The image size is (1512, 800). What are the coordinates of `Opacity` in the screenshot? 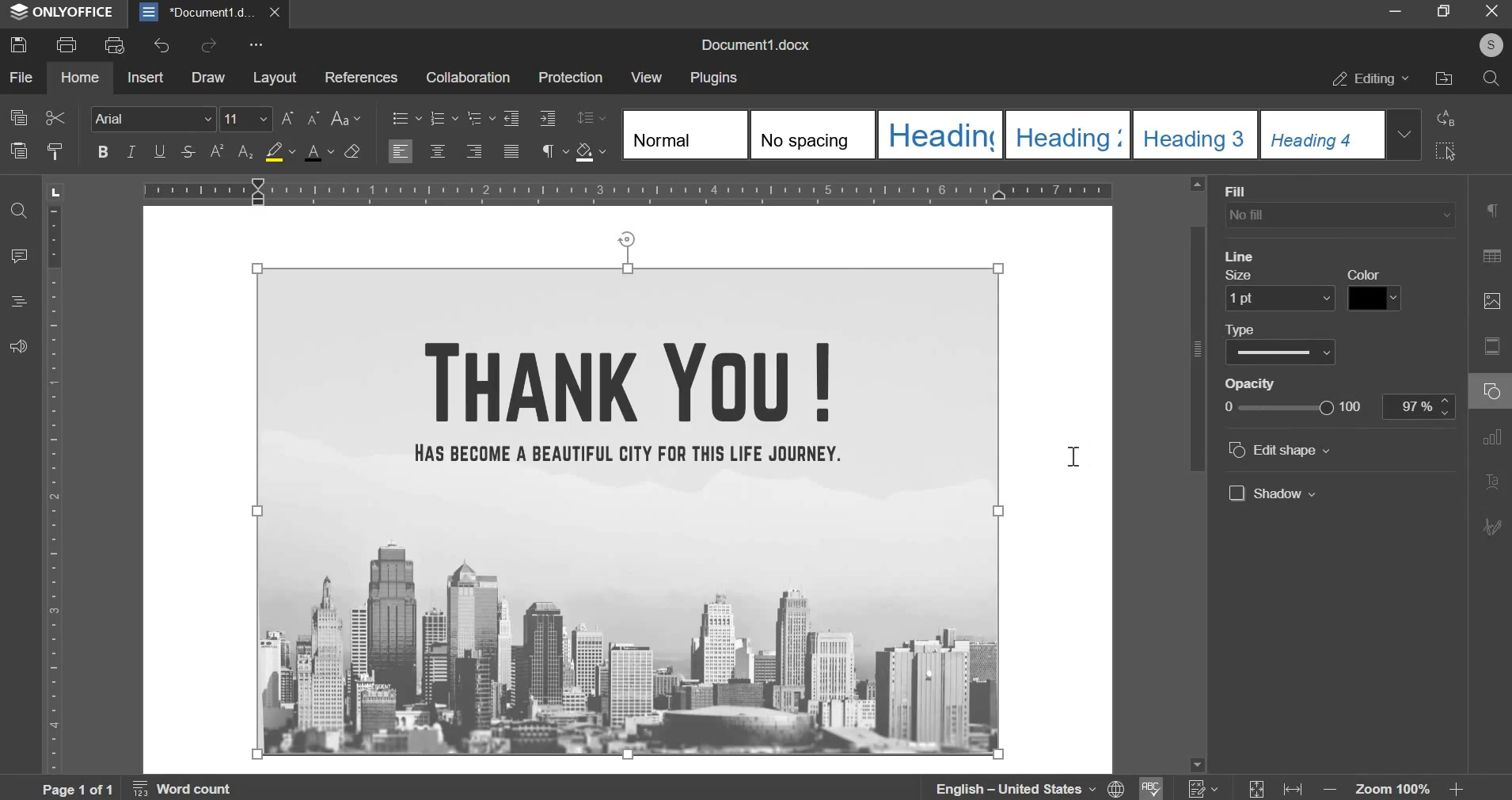 It's located at (1287, 399).